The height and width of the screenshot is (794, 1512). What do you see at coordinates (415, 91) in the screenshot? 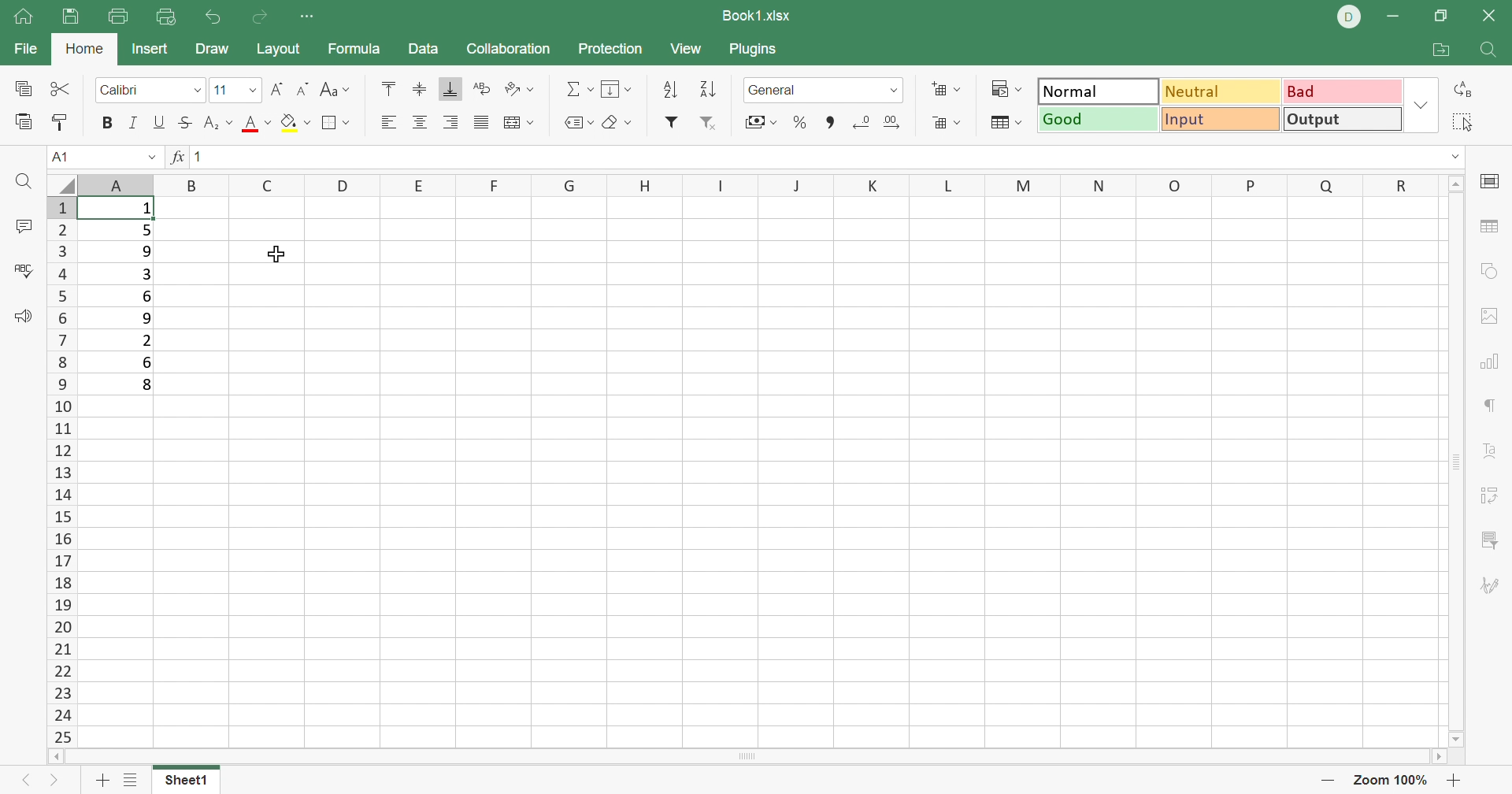
I see `Align Middle` at bounding box center [415, 91].